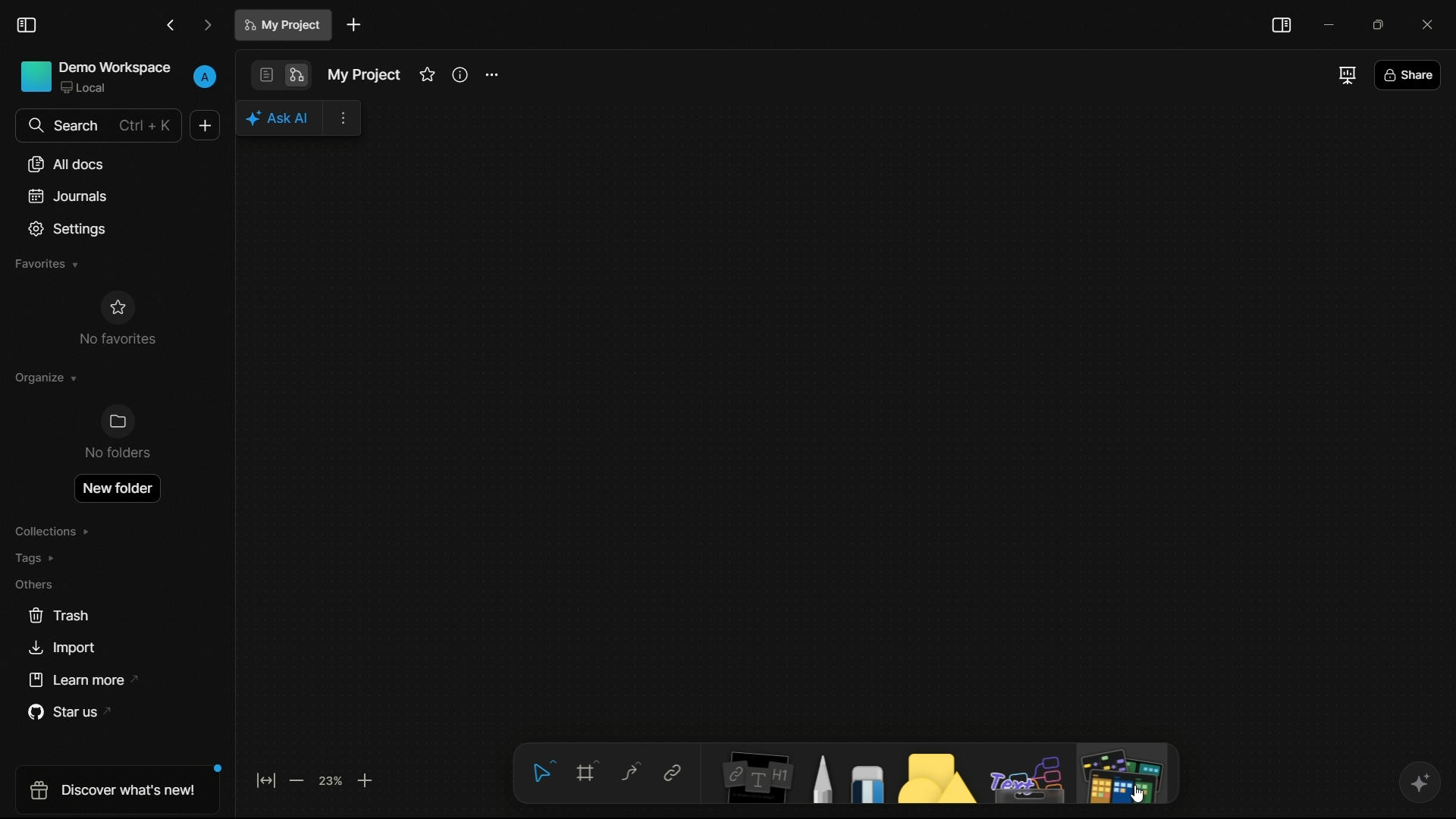 The height and width of the screenshot is (819, 1456). What do you see at coordinates (366, 780) in the screenshot?
I see `zoom in` at bounding box center [366, 780].